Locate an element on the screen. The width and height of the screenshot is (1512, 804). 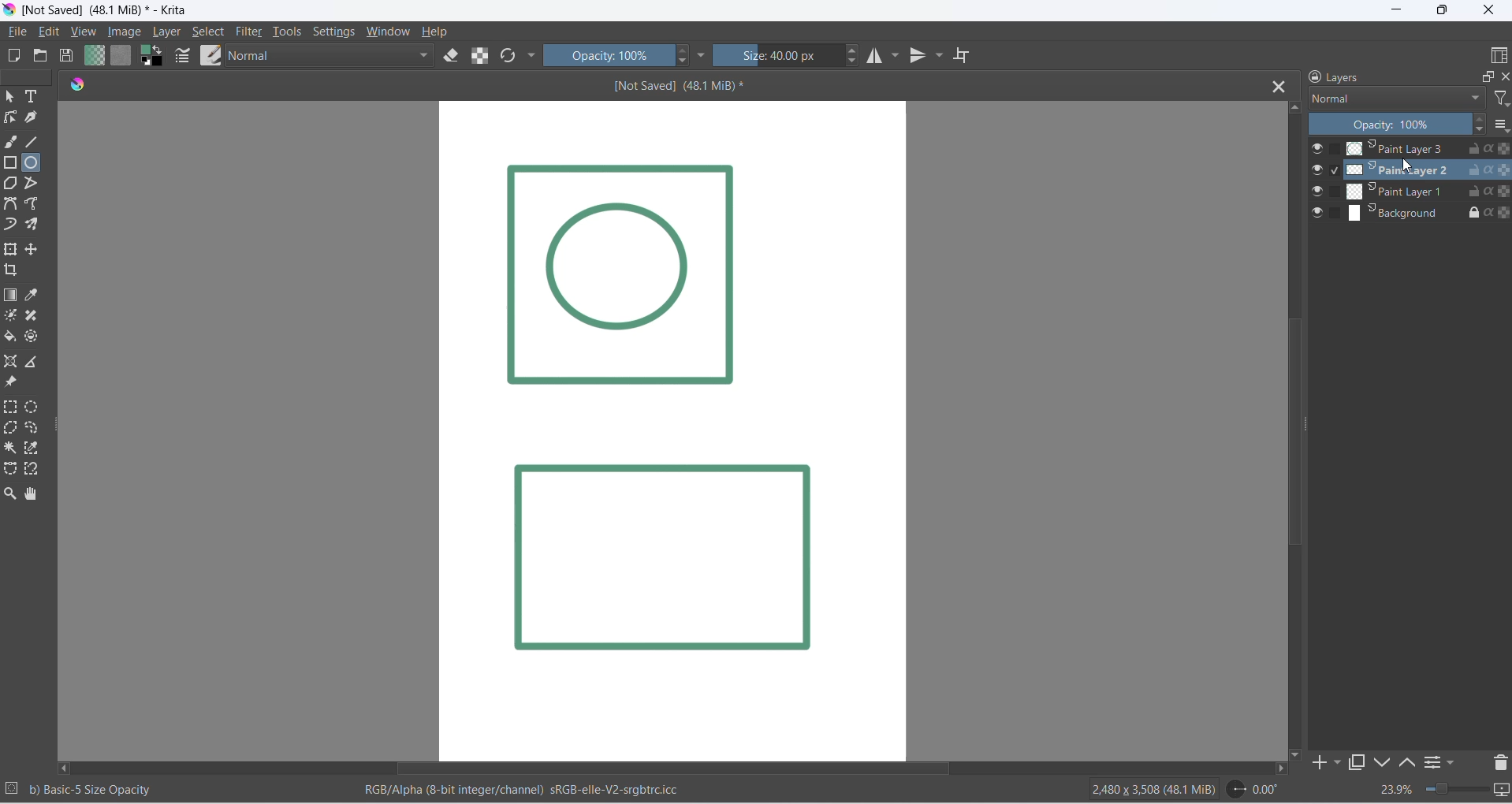
pan tool is located at coordinates (35, 494).